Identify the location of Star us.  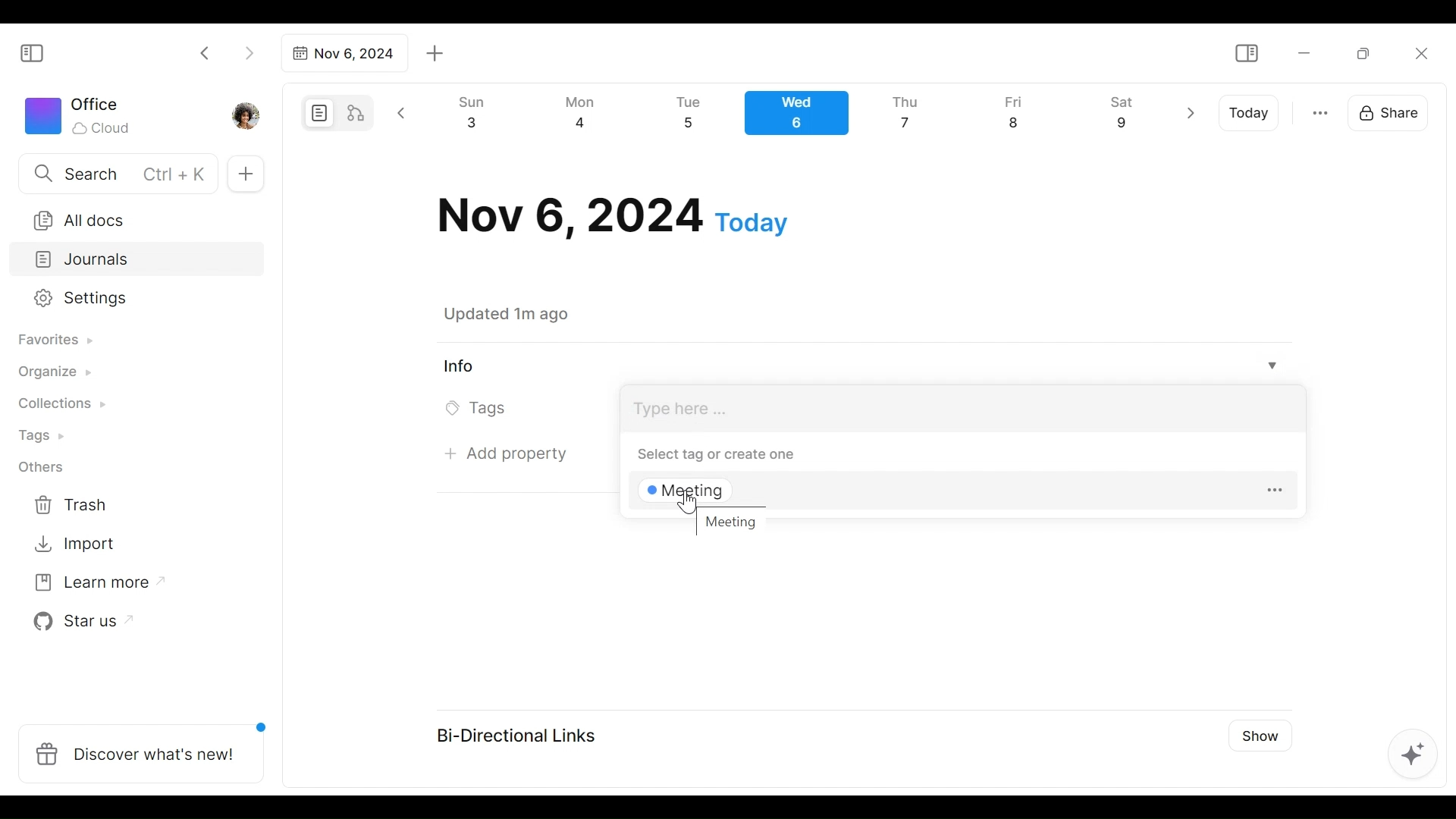
(79, 622).